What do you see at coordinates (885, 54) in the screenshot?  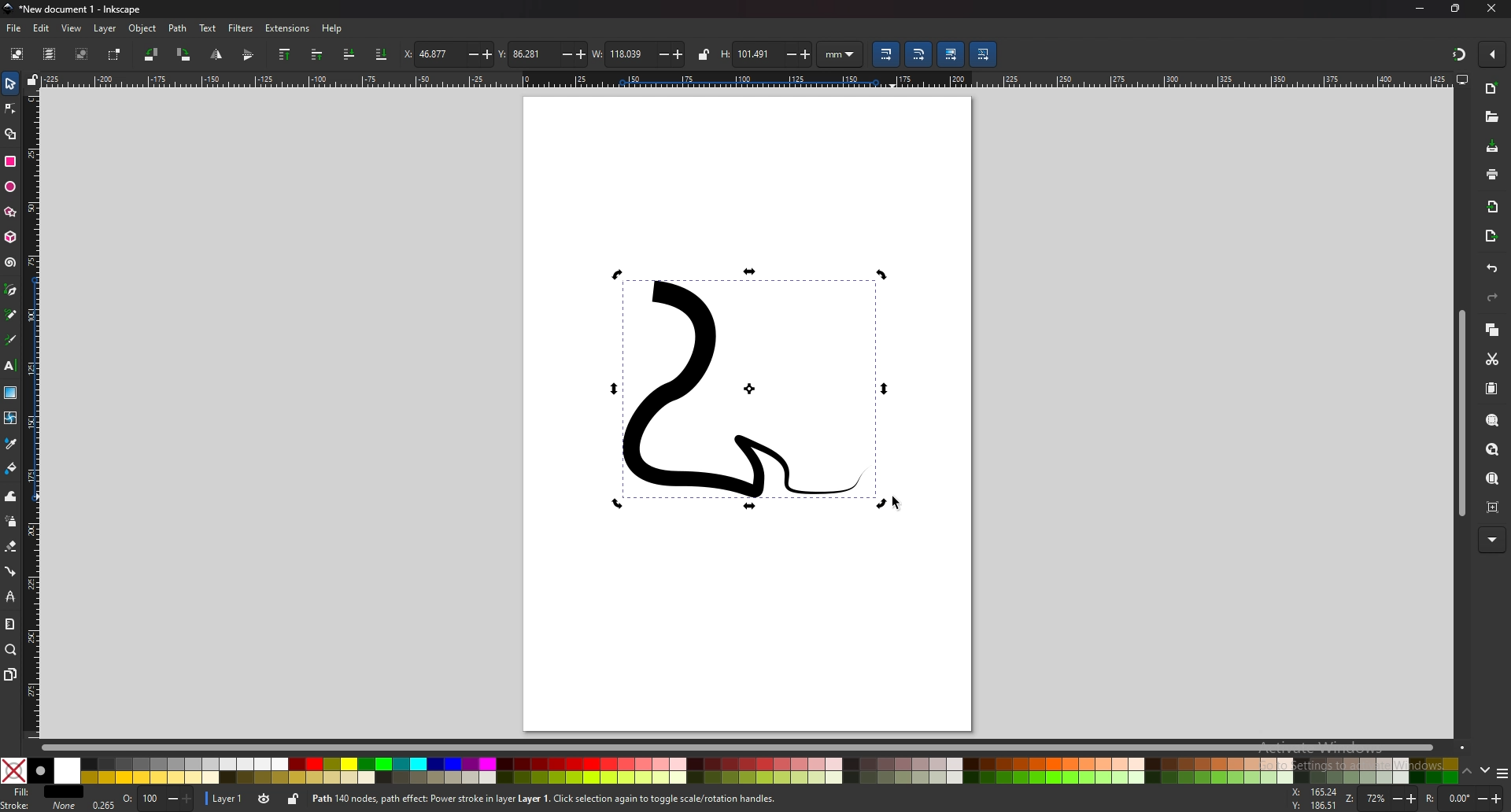 I see `scale stroke` at bounding box center [885, 54].